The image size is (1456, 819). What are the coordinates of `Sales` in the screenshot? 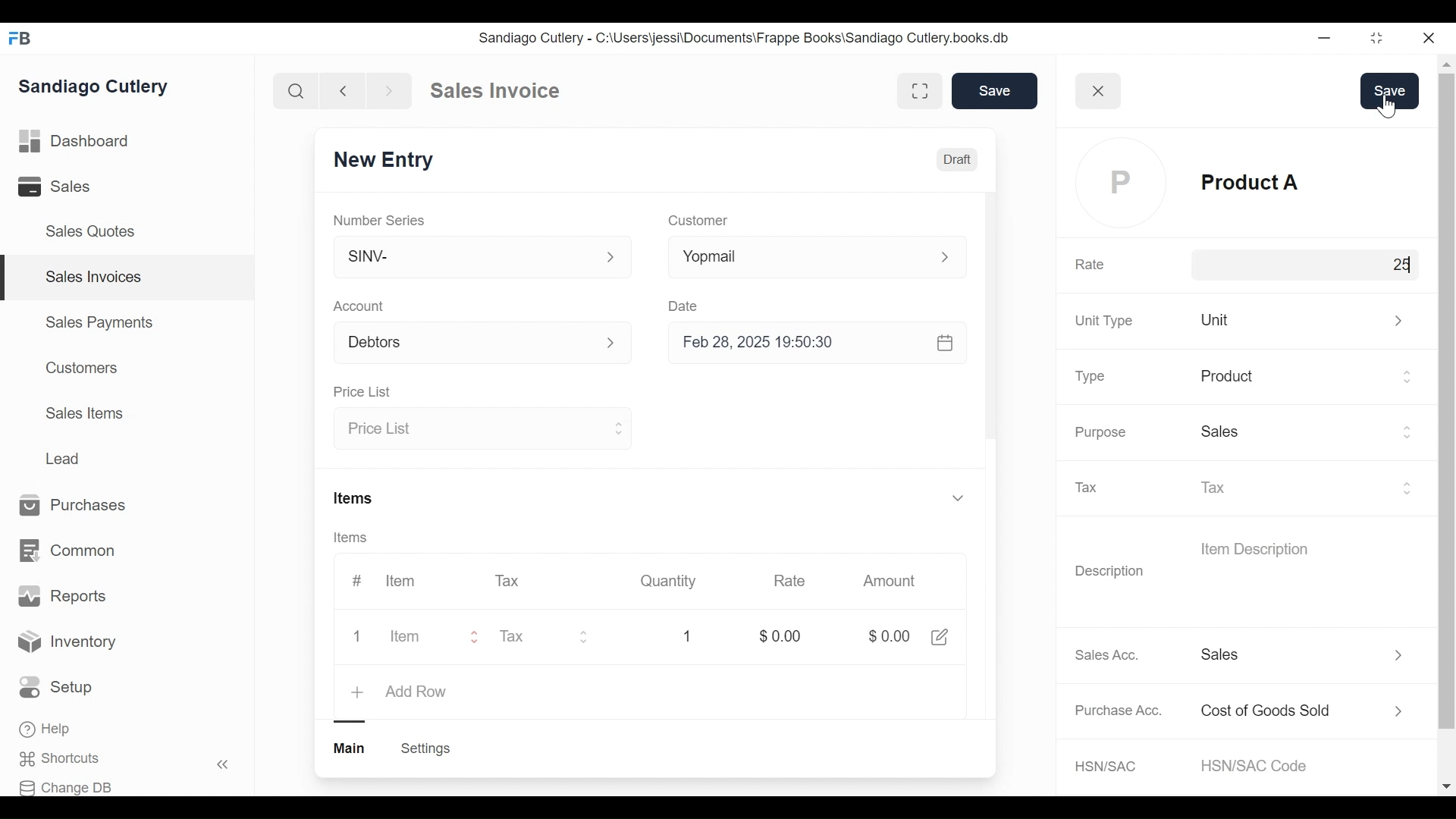 It's located at (1307, 434).